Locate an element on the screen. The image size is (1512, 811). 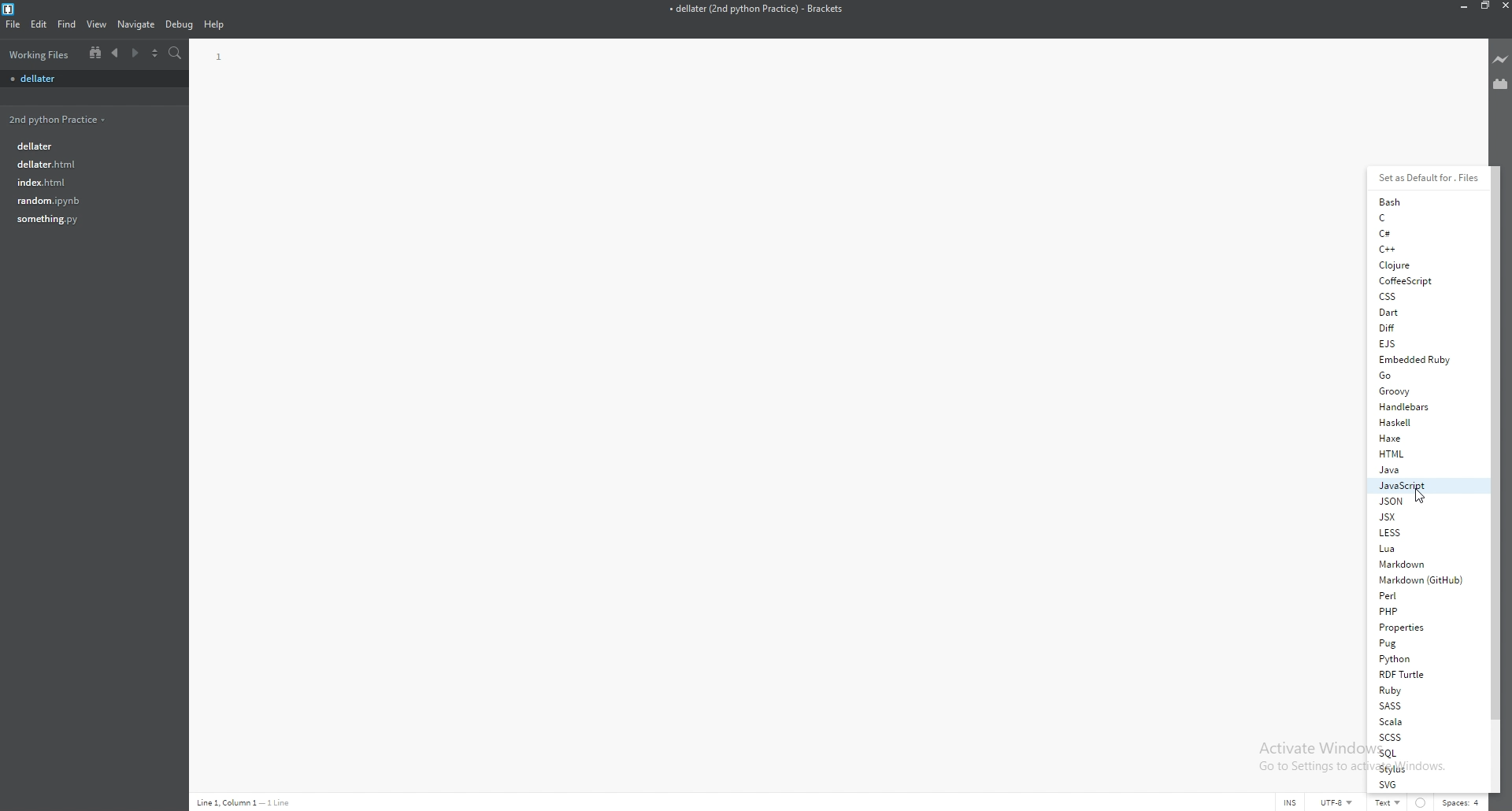
live preview is located at coordinates (1501, 59).